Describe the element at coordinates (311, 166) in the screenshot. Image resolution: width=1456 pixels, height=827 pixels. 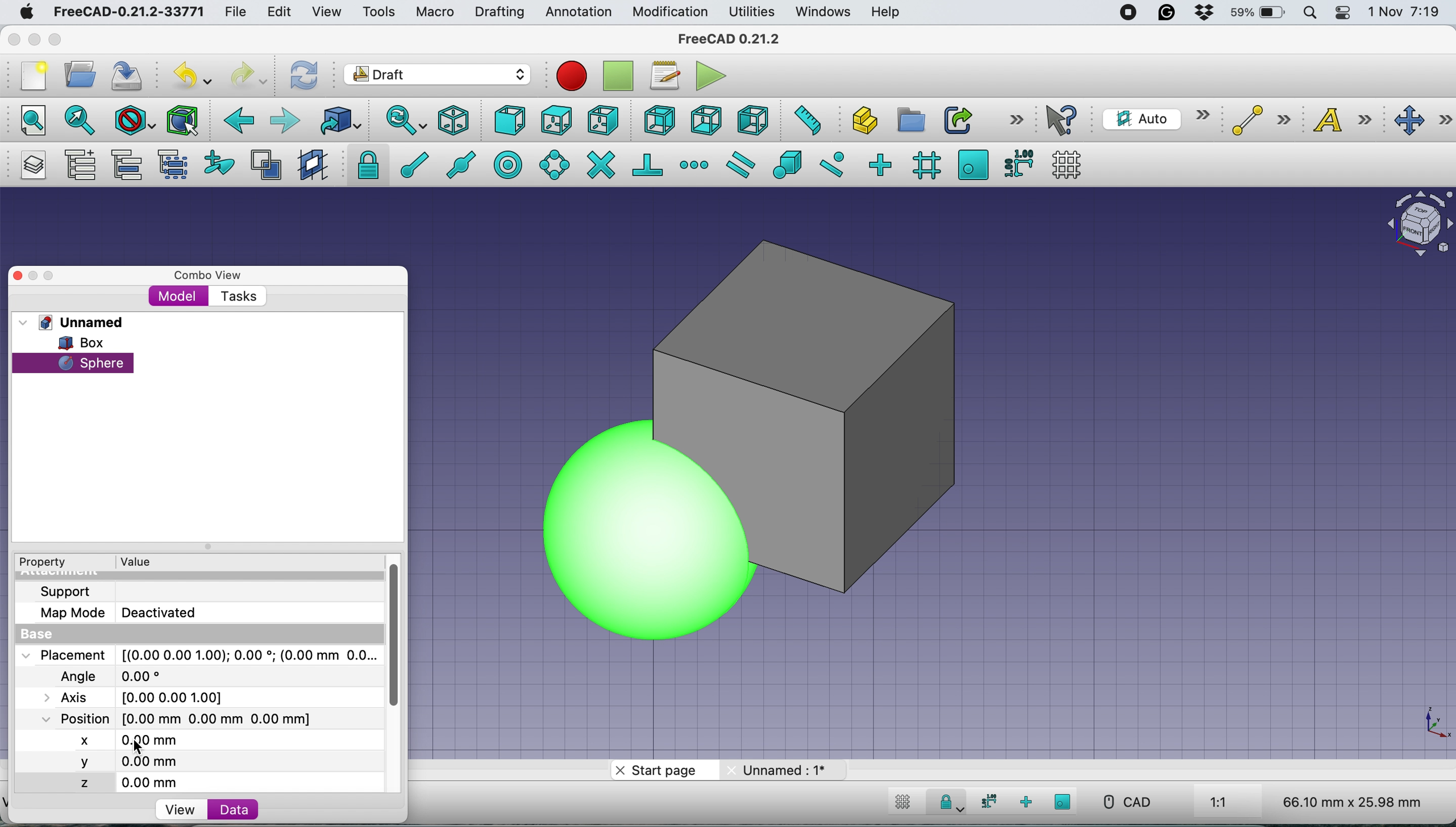
I see `change working plane proxy` at that location.